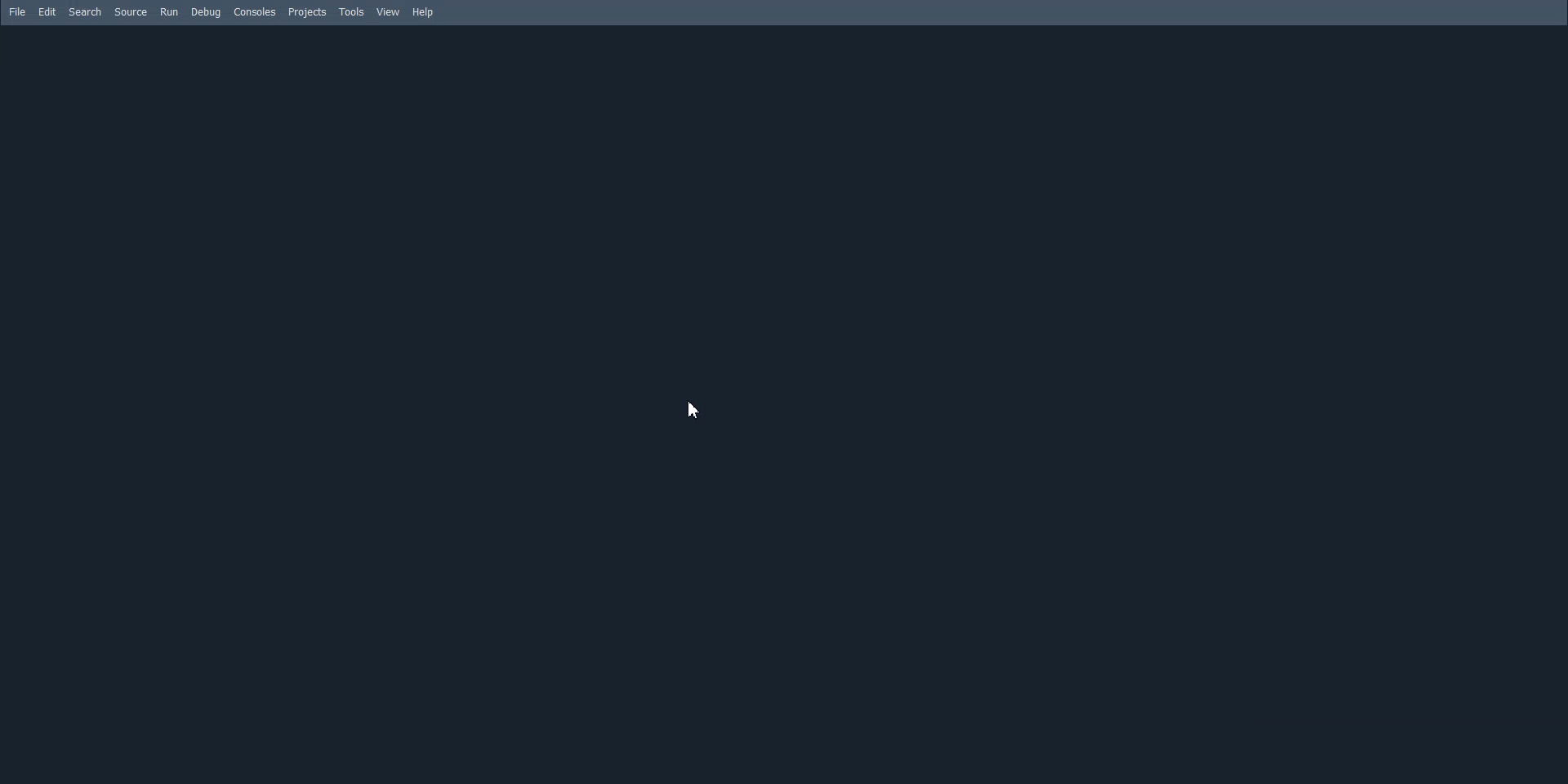  I want to click on File, so click(18, 11).